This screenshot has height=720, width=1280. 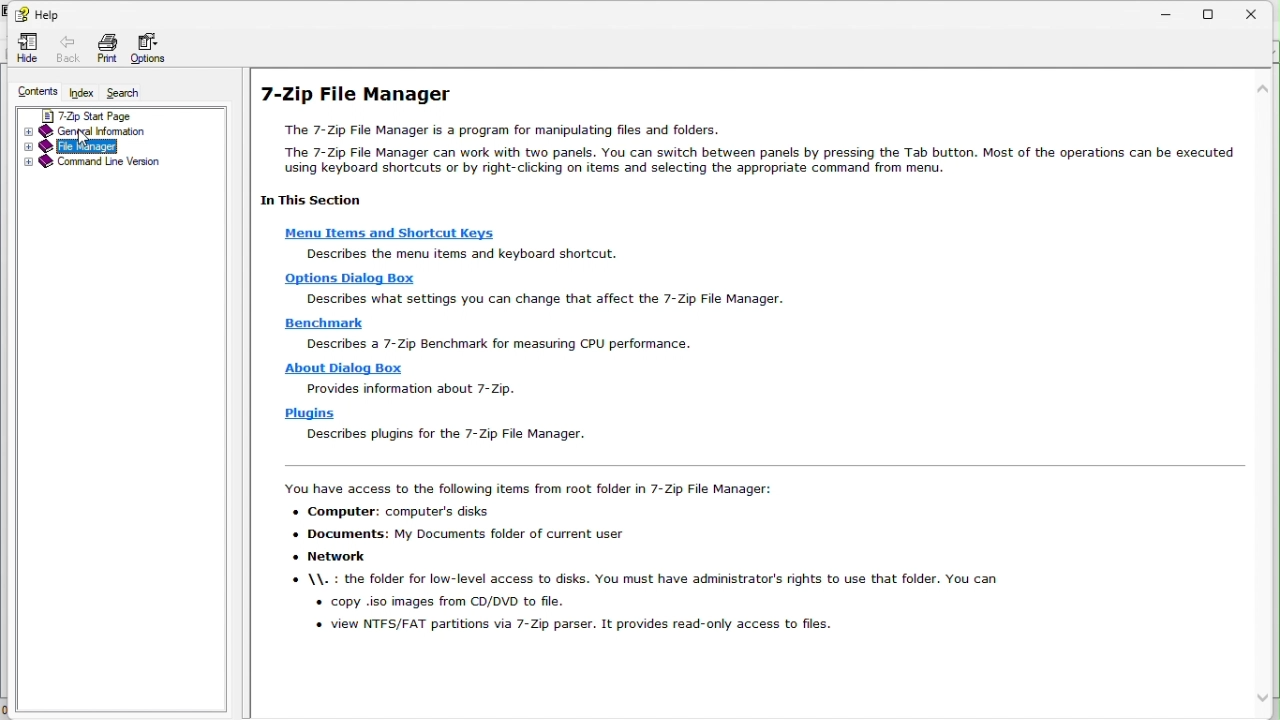 I want to click on describe plugins, so click(x=443, y=436).